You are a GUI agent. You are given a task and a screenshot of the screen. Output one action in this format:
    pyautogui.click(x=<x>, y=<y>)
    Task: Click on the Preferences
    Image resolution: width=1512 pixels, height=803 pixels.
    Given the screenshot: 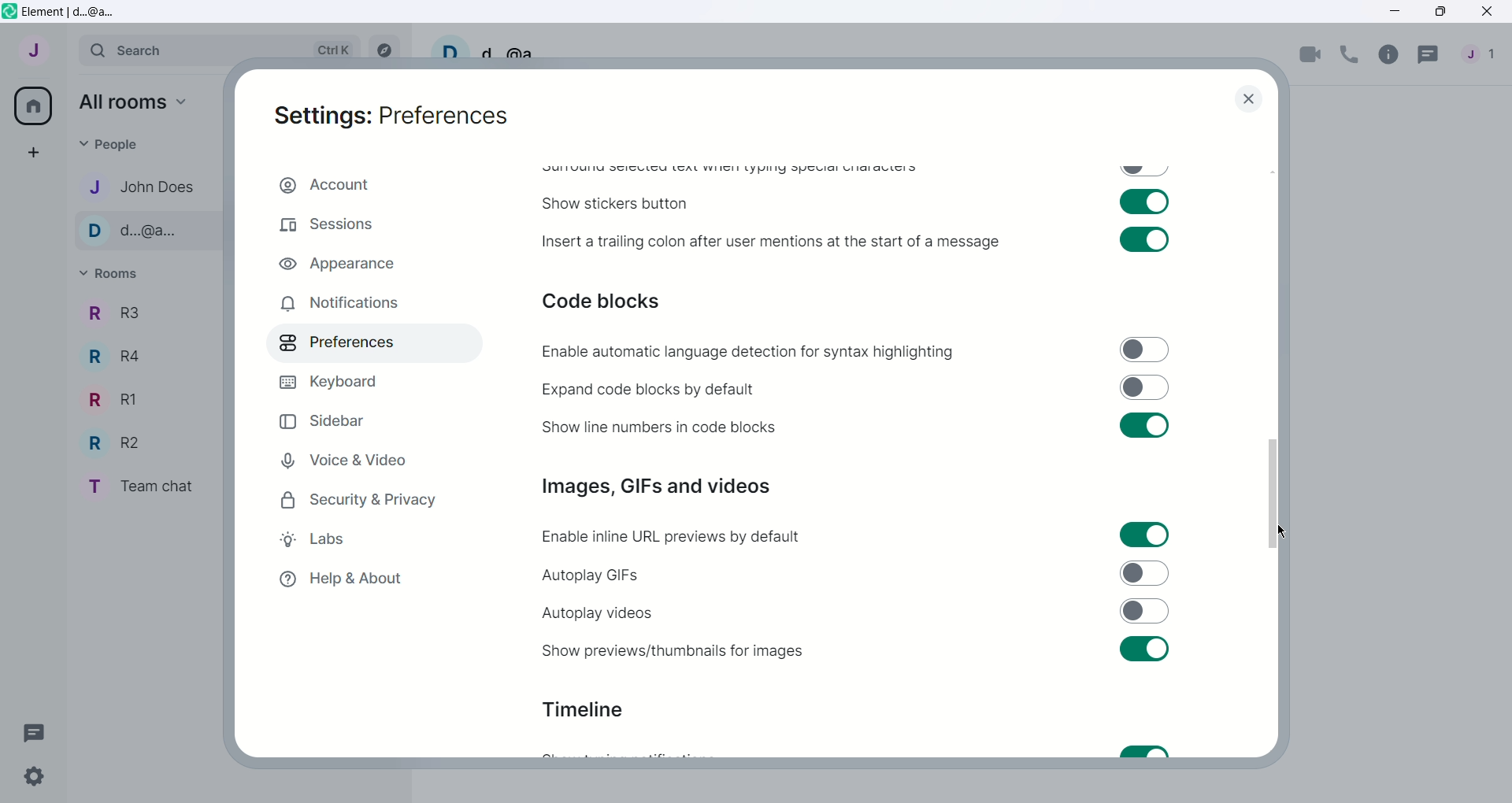 What is the action you would take?
    pyautogui.click(x=366, y=344)
    